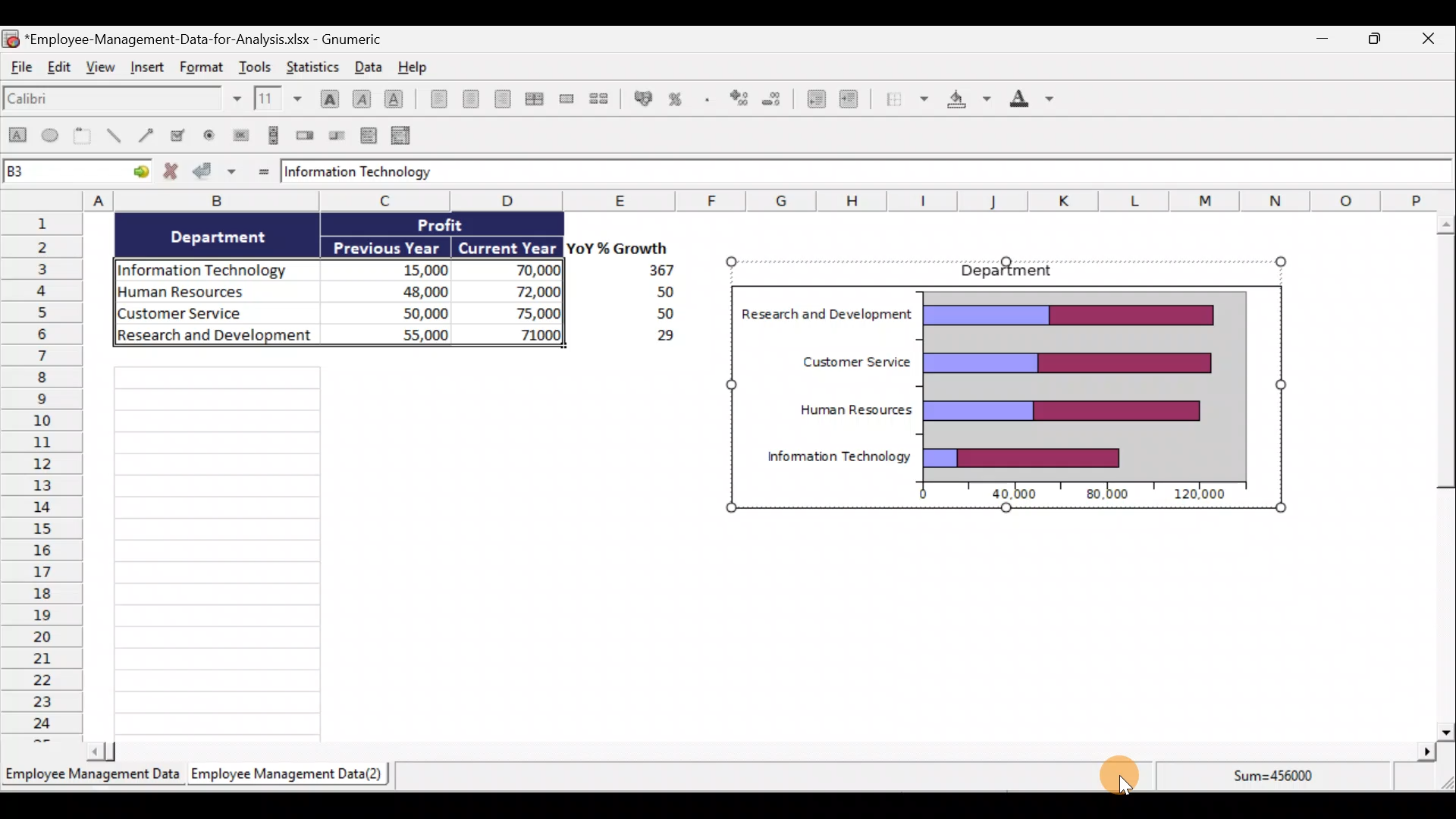  I want to click on Go to, so click(138, 174).